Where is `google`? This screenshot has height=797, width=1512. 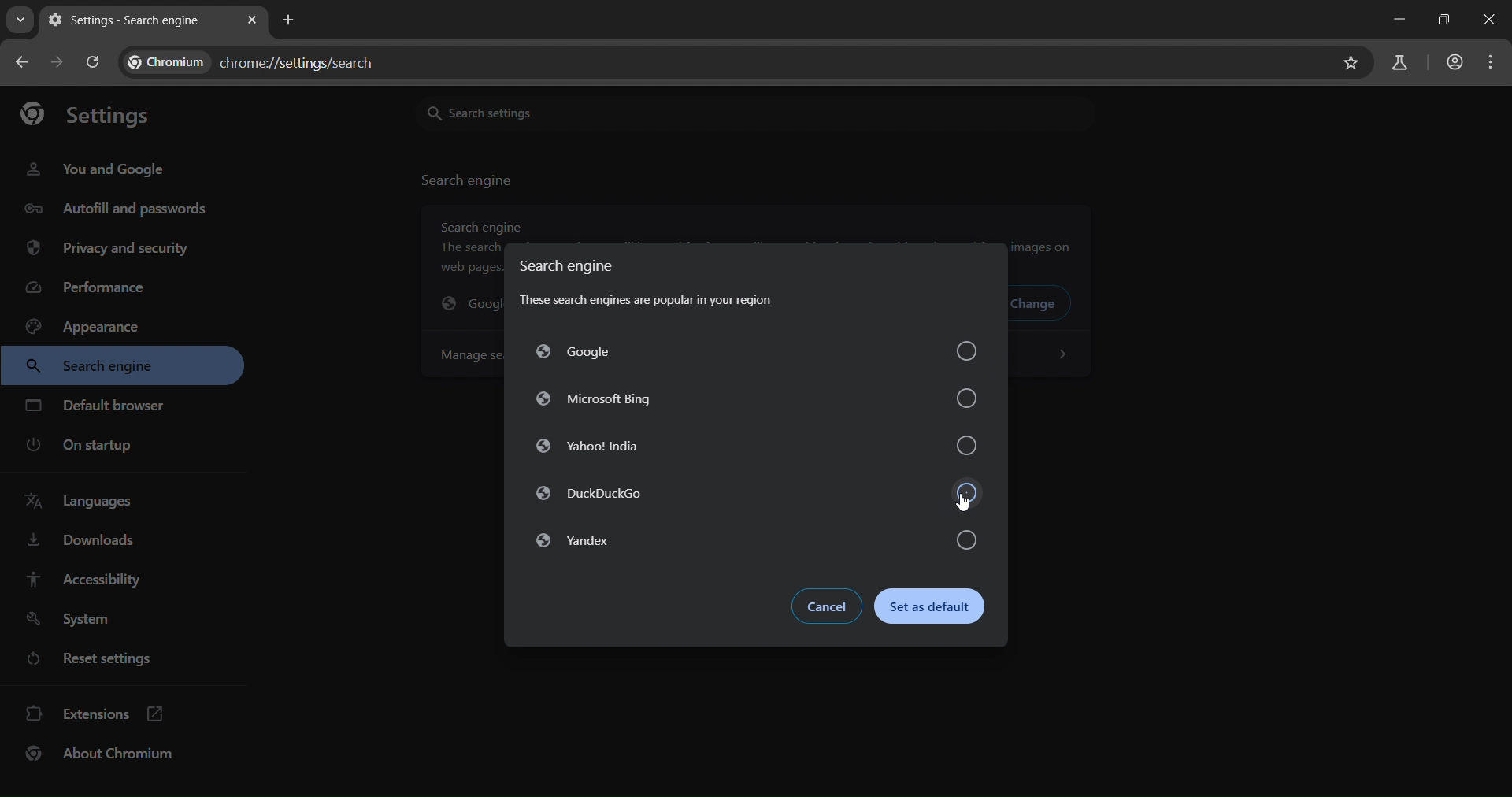
google is located at coordinates (762, 351).